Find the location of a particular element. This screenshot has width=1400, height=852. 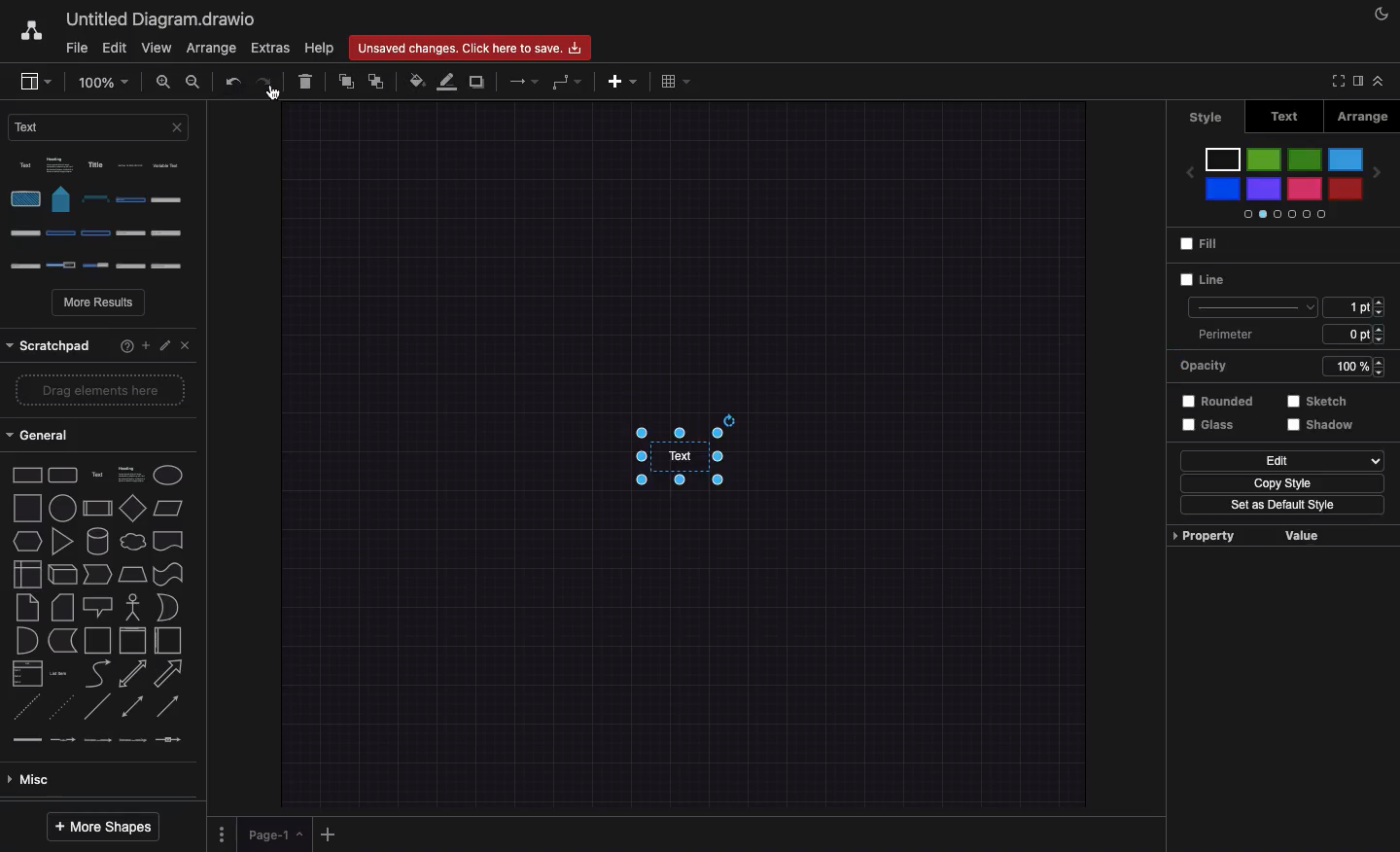

Collapse is located at coordinates (1383, 83).